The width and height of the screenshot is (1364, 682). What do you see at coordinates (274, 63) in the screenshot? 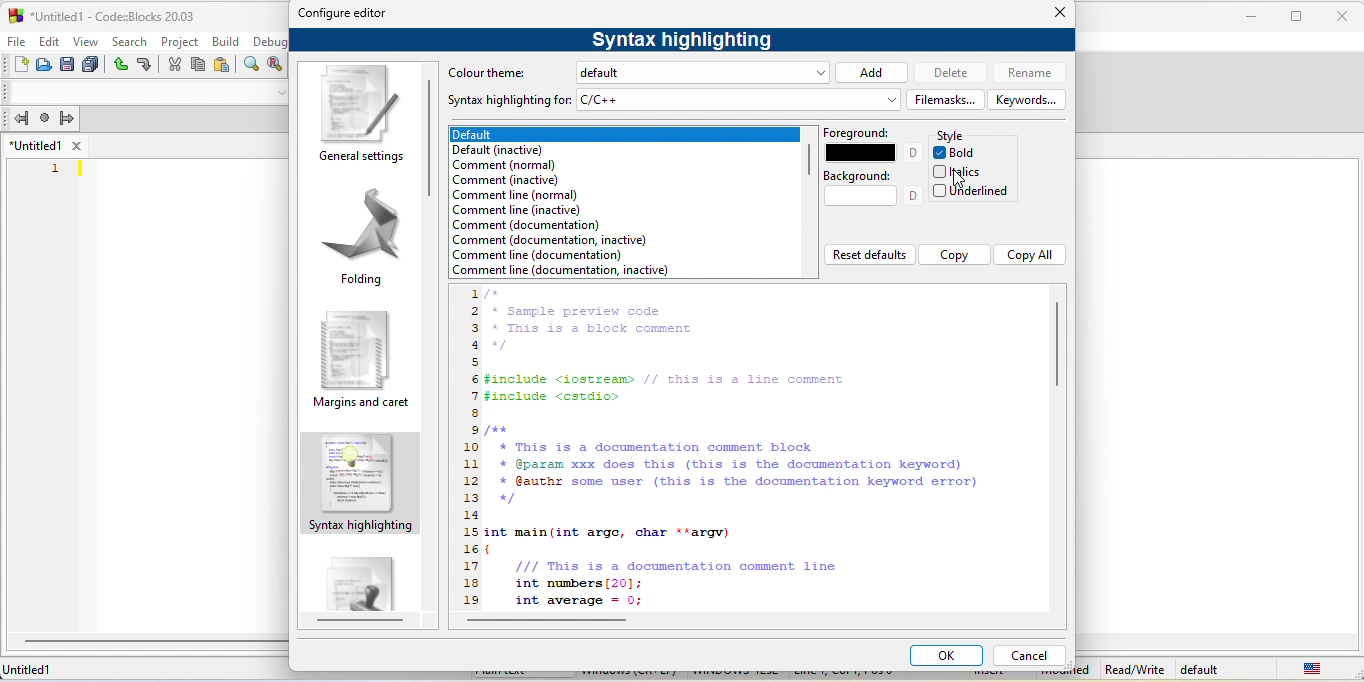
I see `replace` at bounding box center [274, 63].